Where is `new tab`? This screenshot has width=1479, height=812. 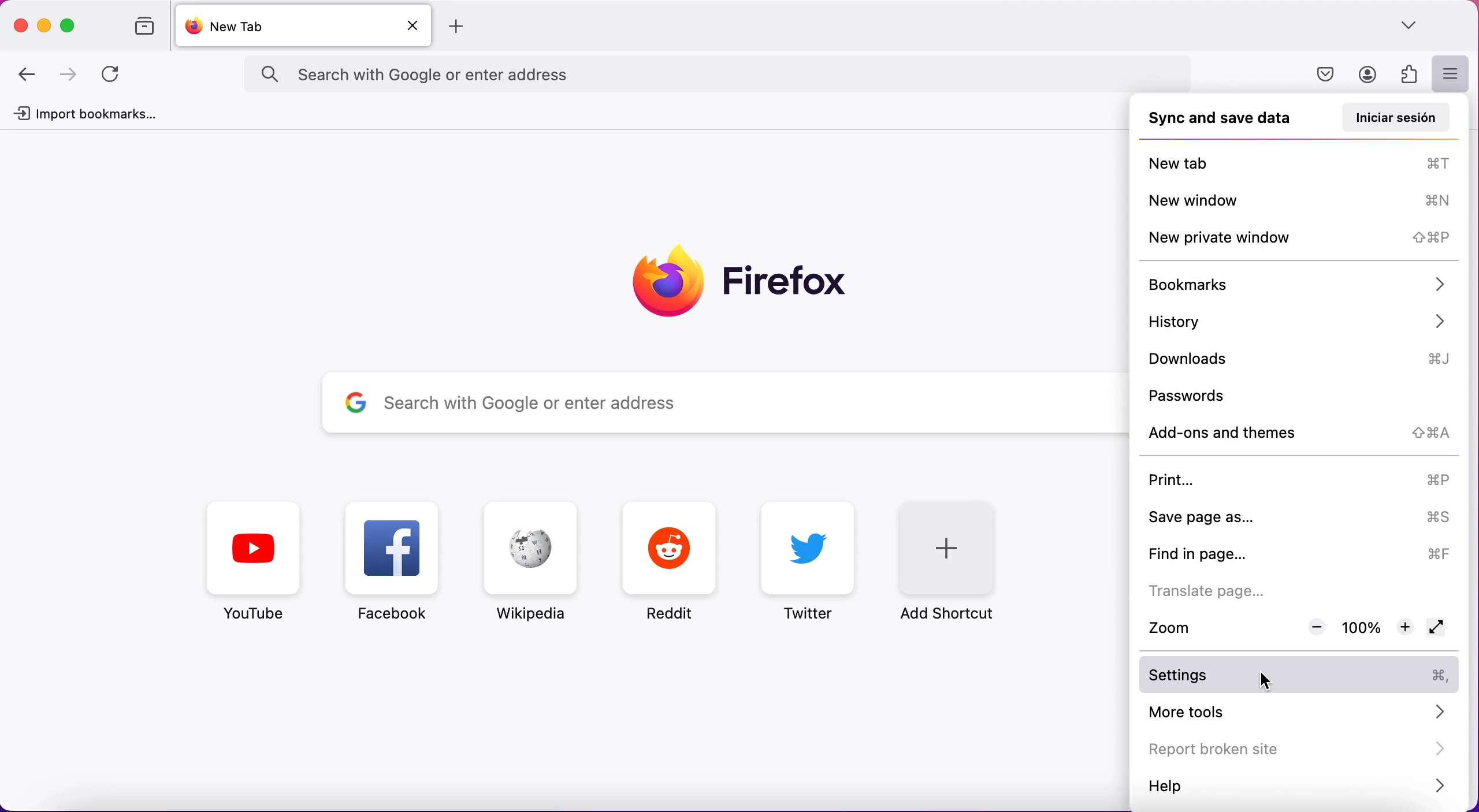
new tab is located at coordinates (1302, 160).